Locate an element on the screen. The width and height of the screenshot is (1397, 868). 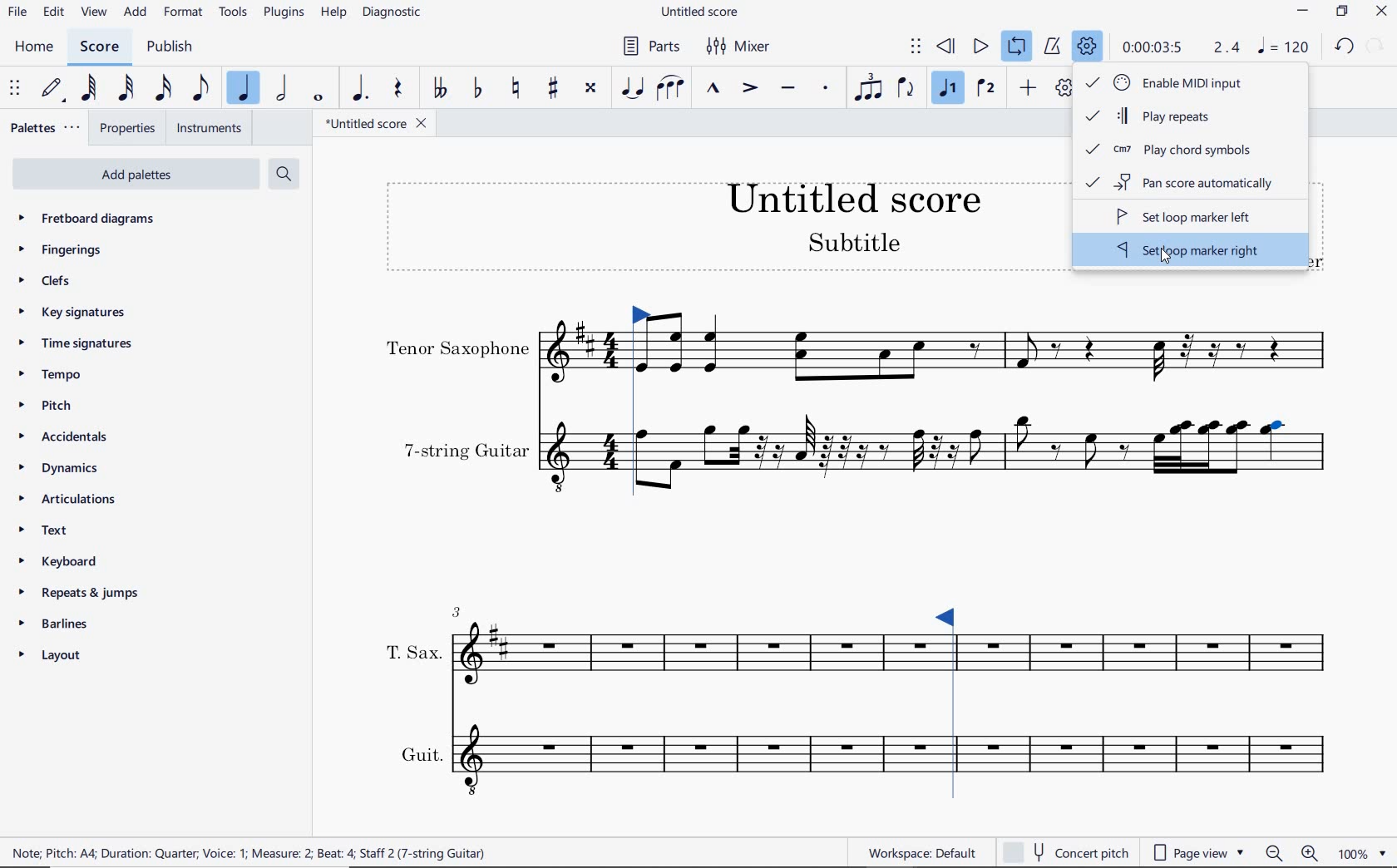
REPEATS & JUMPS is located at coordinates (81, 595).